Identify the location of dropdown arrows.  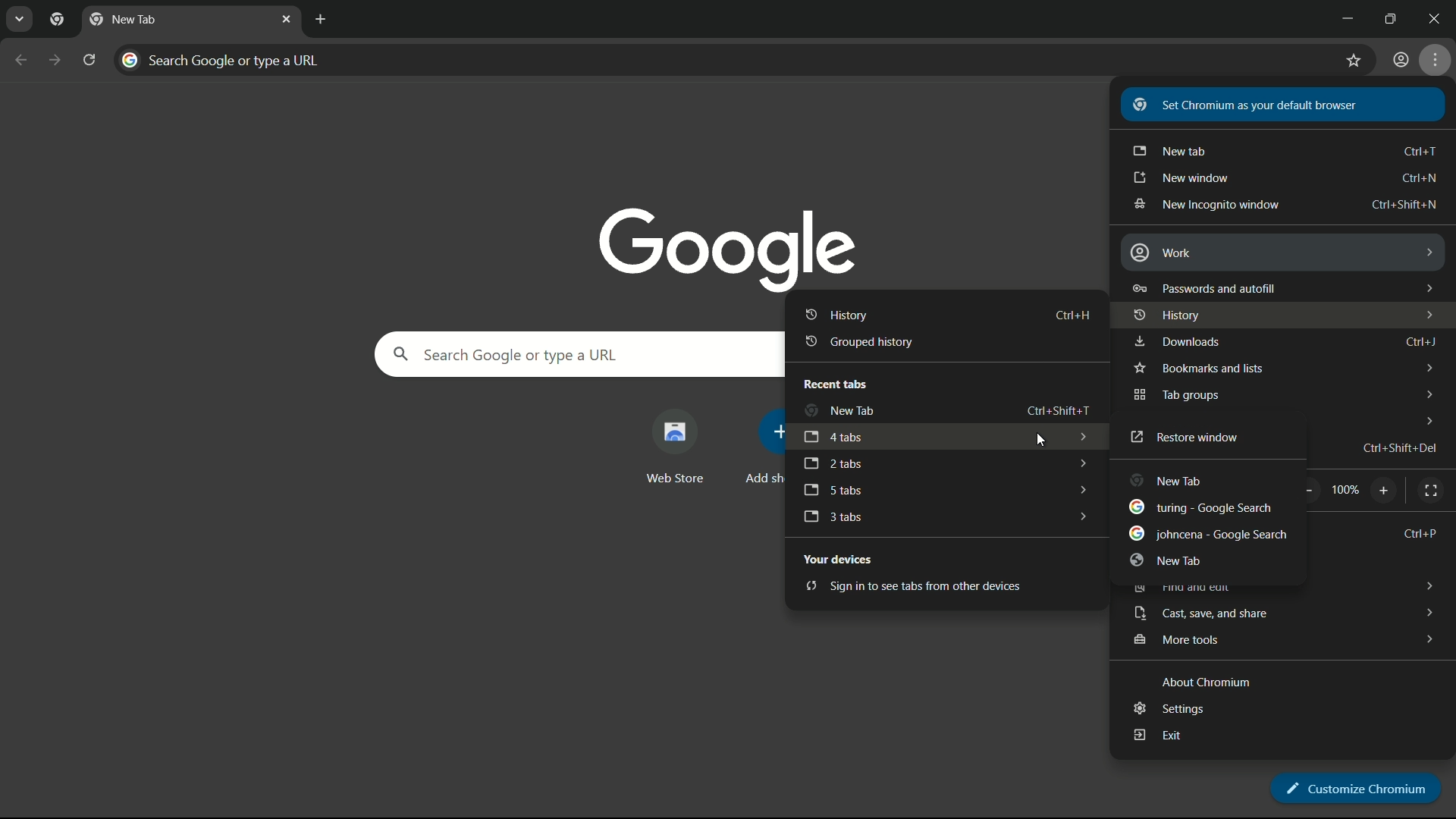
(1424, 315).